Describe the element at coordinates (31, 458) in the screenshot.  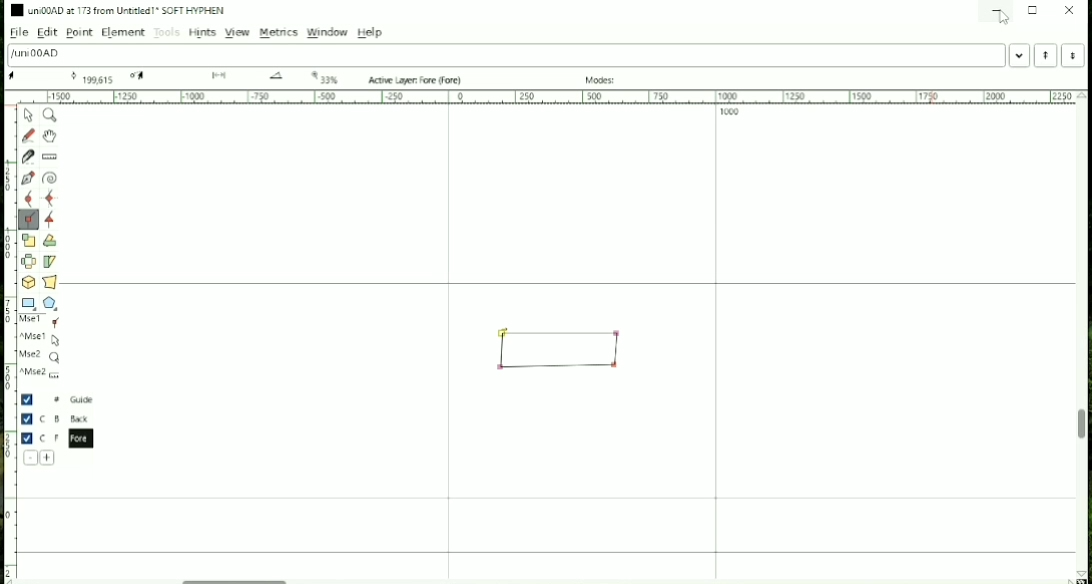
I see `Delete the current layer` at that location.